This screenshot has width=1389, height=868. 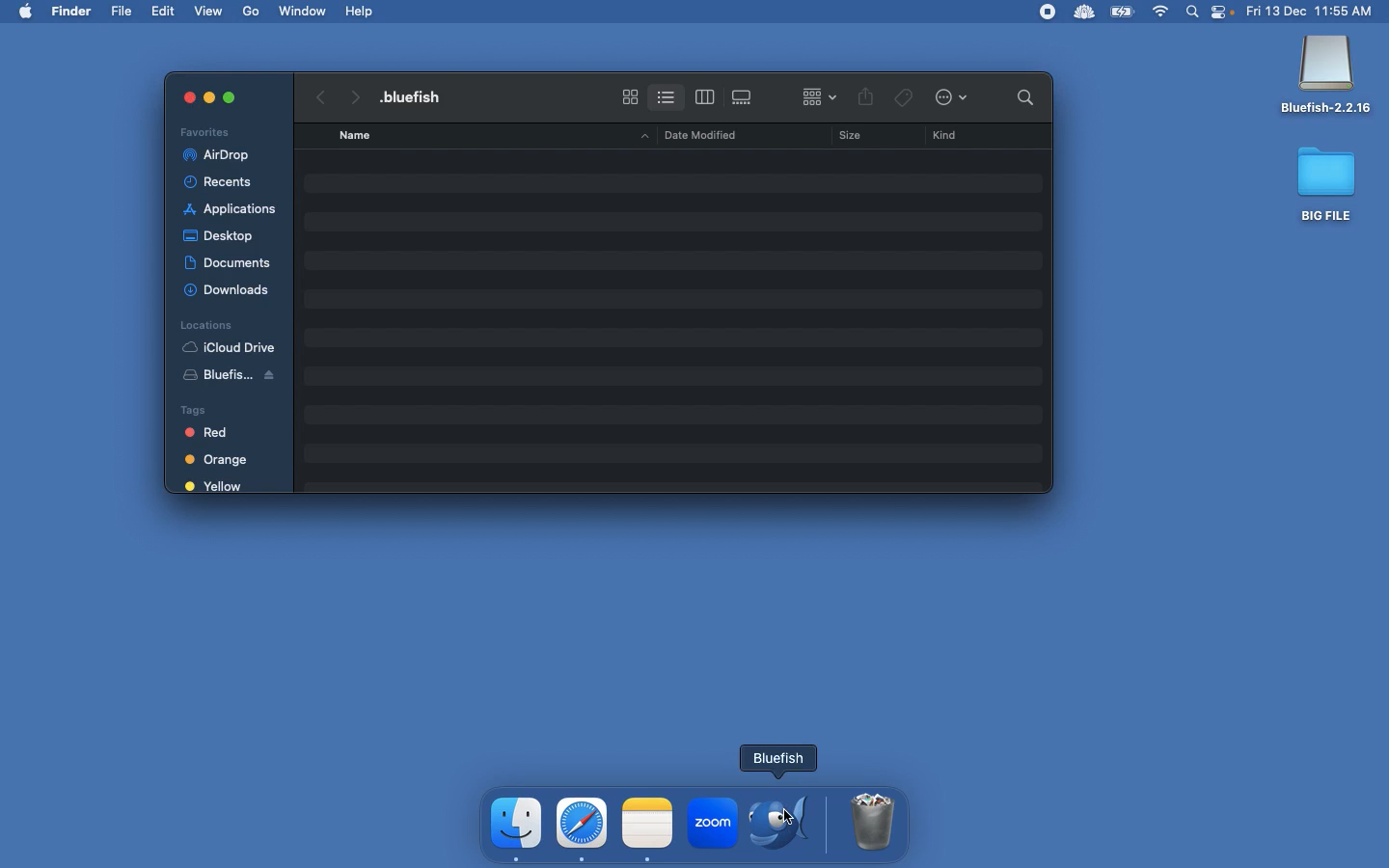 I want to click on Bluefish, so click(x=785, y=822).